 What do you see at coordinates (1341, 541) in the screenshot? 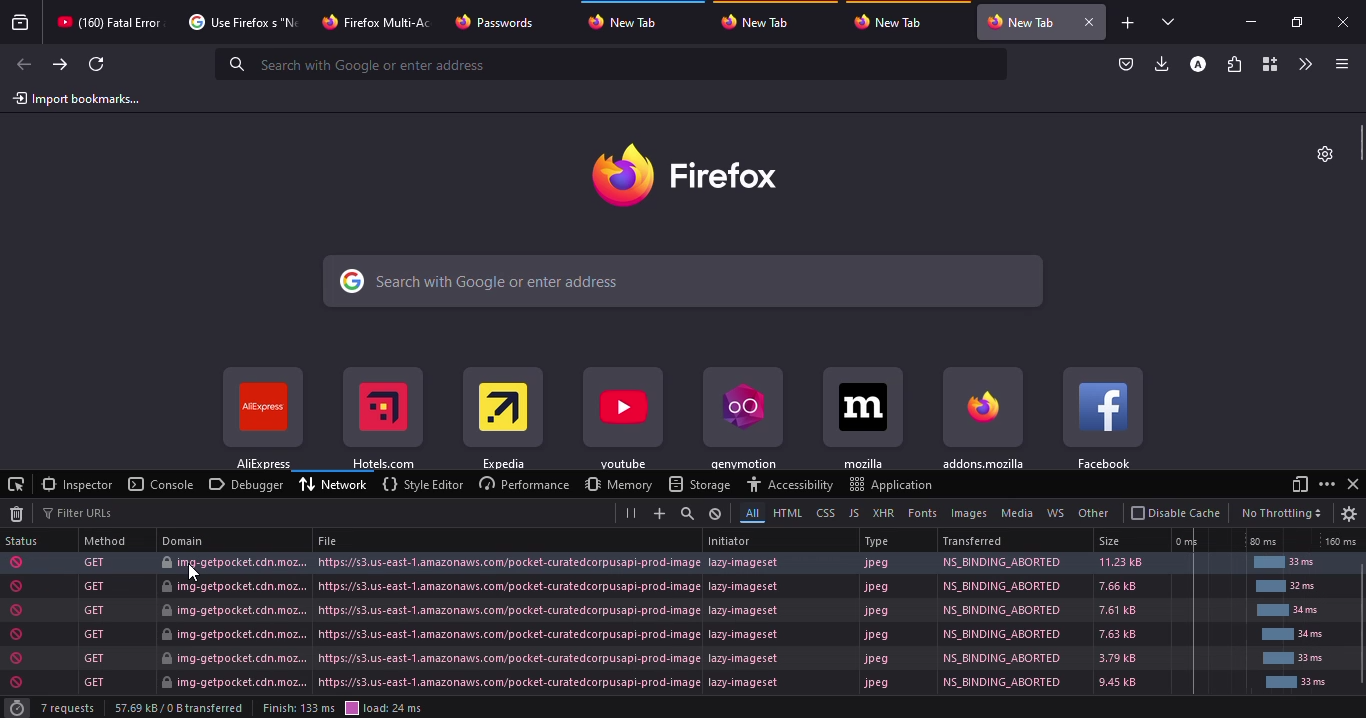
I see `160` at bounding box center [1341, 541].